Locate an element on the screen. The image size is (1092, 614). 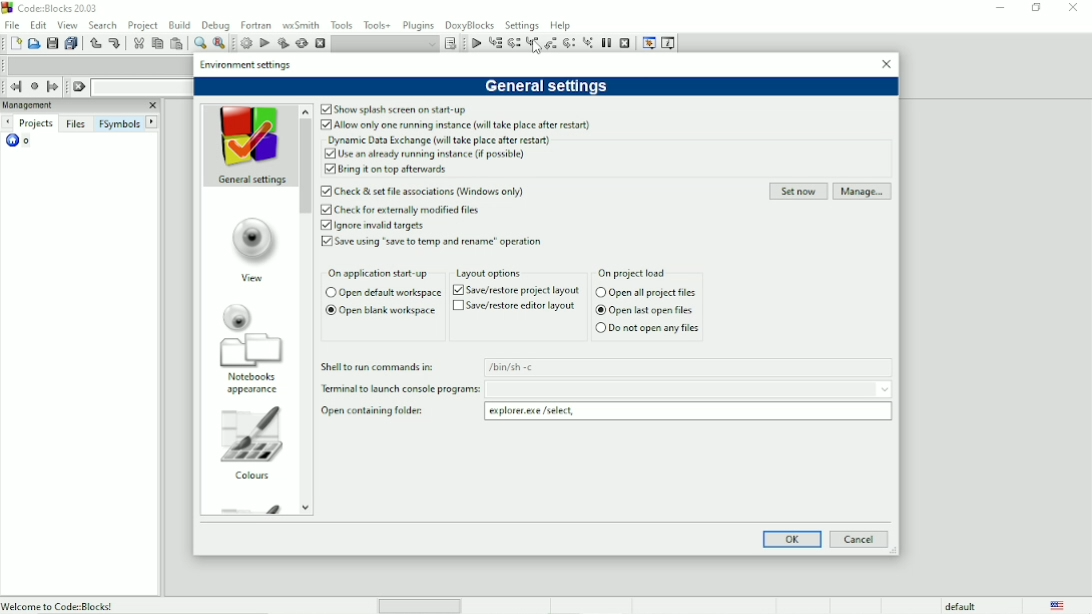
Step into is located at coordinates (532, 44).